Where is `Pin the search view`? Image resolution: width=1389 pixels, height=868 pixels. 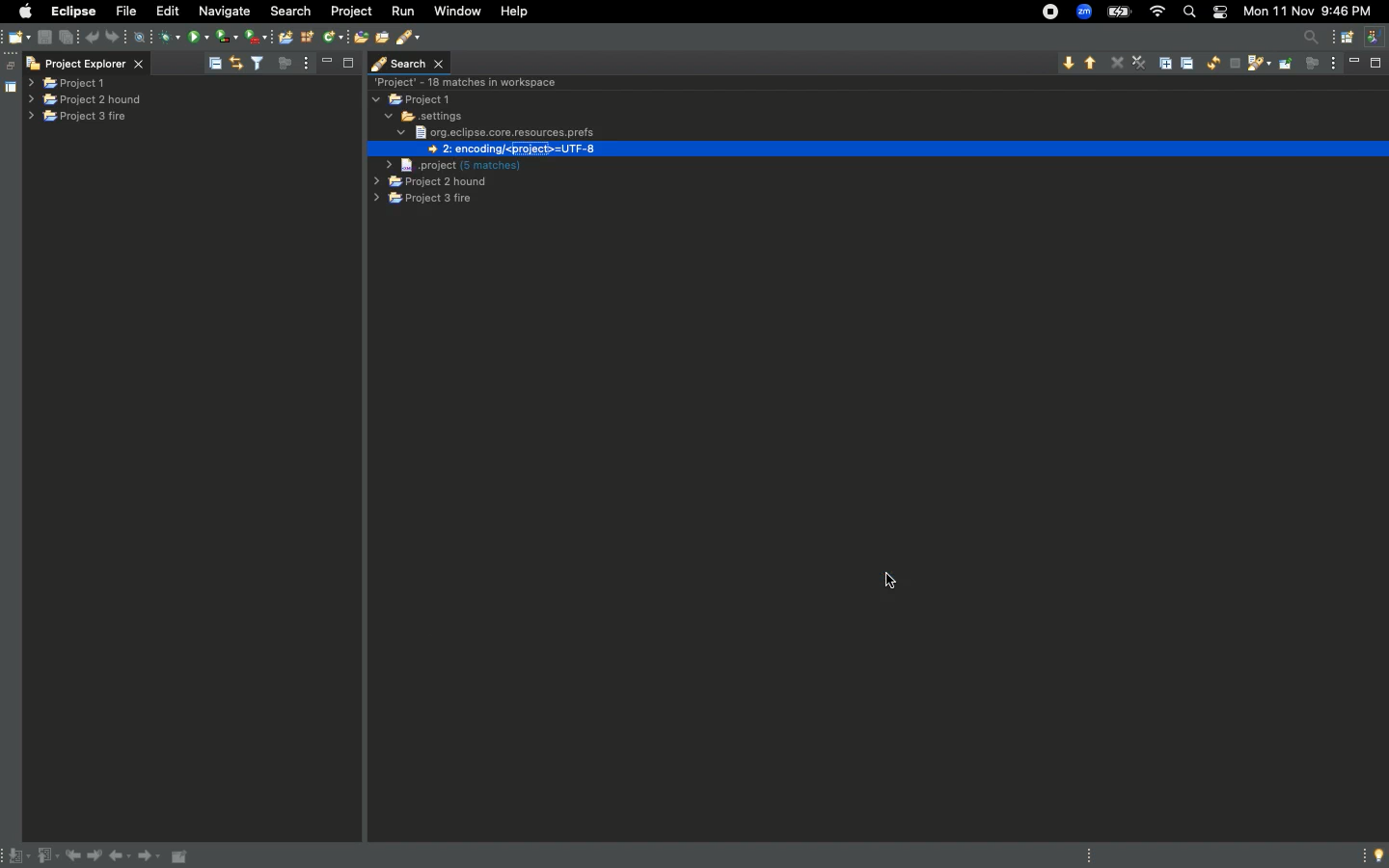 Pin the search view is located at coordinates (1286, 70).